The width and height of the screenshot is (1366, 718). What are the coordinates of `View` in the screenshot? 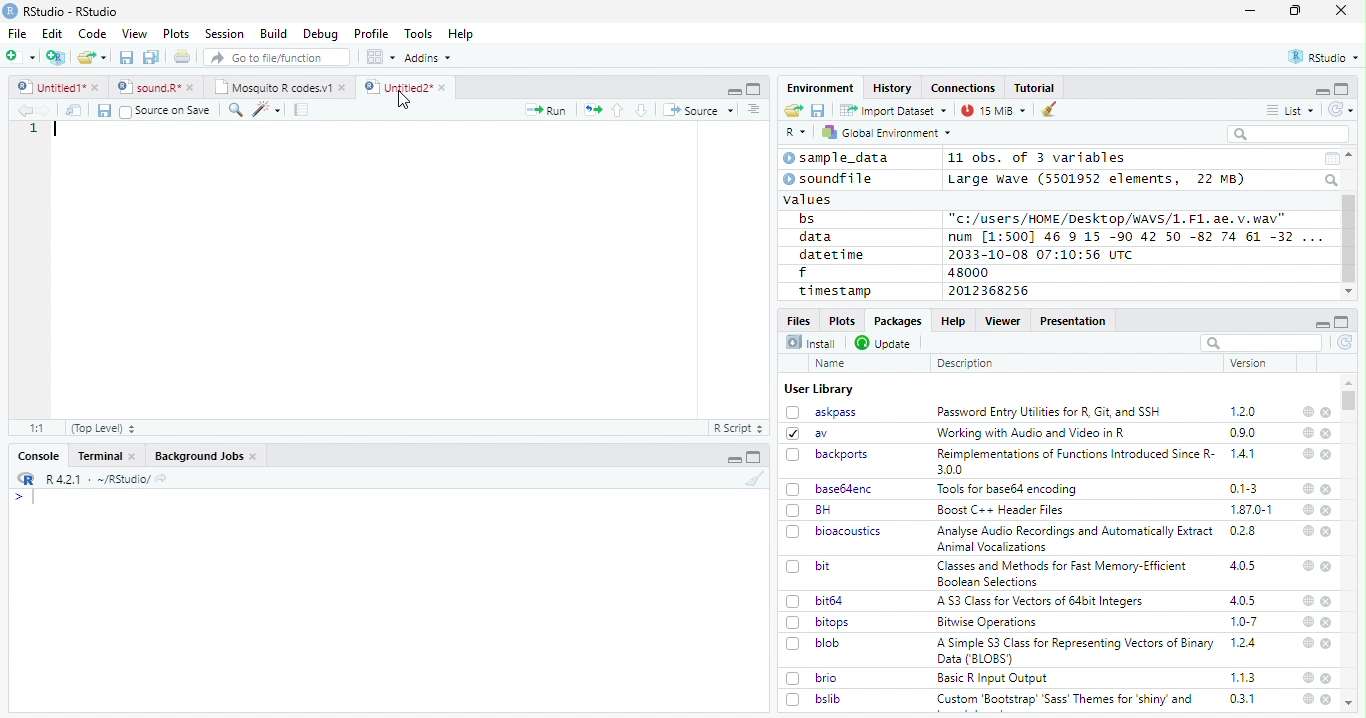 It's located at (135, 34).